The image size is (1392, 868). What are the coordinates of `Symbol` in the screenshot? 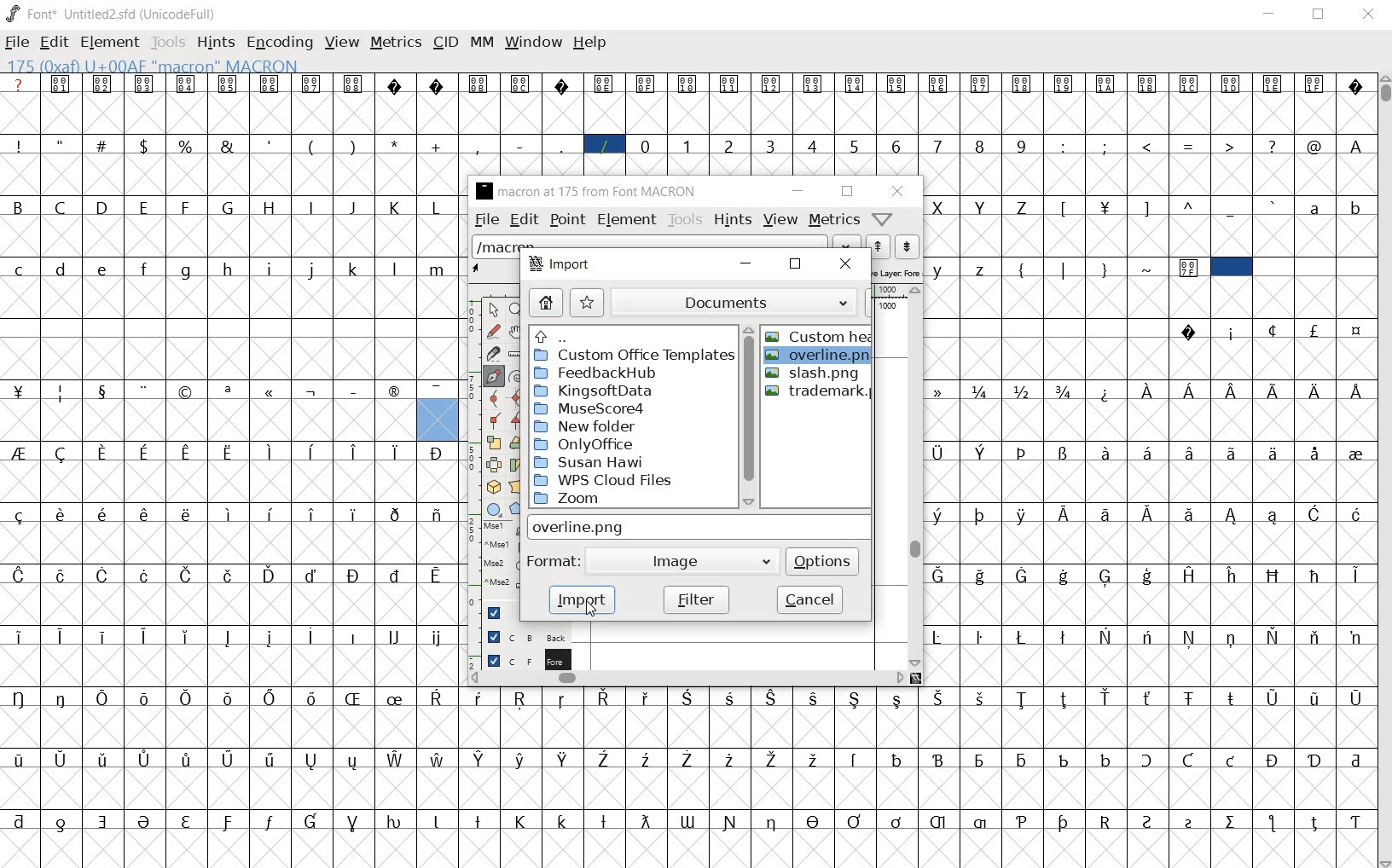 It's located at (1356, 697).